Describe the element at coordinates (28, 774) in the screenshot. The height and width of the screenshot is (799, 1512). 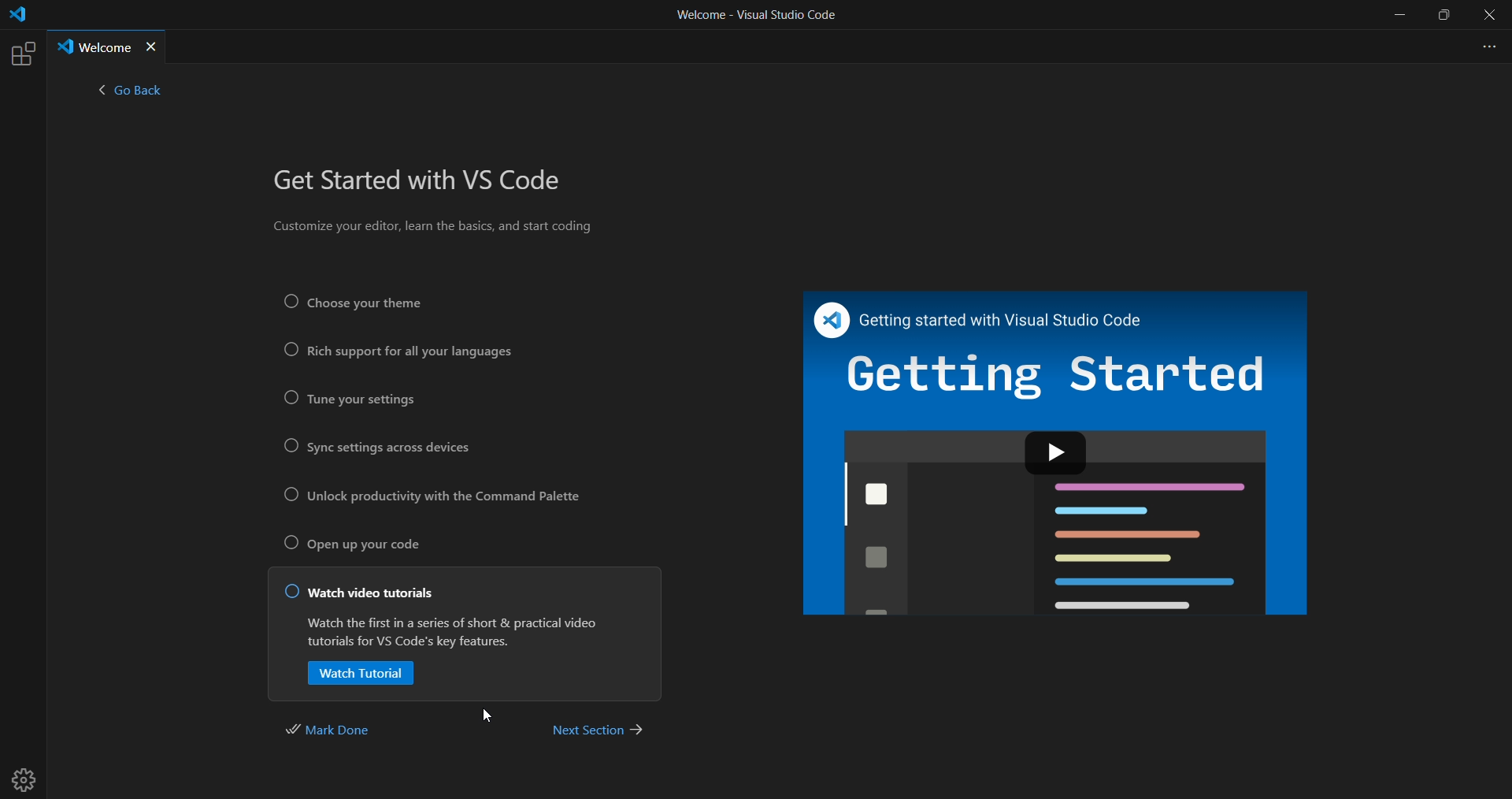
I see `settings` at that location.